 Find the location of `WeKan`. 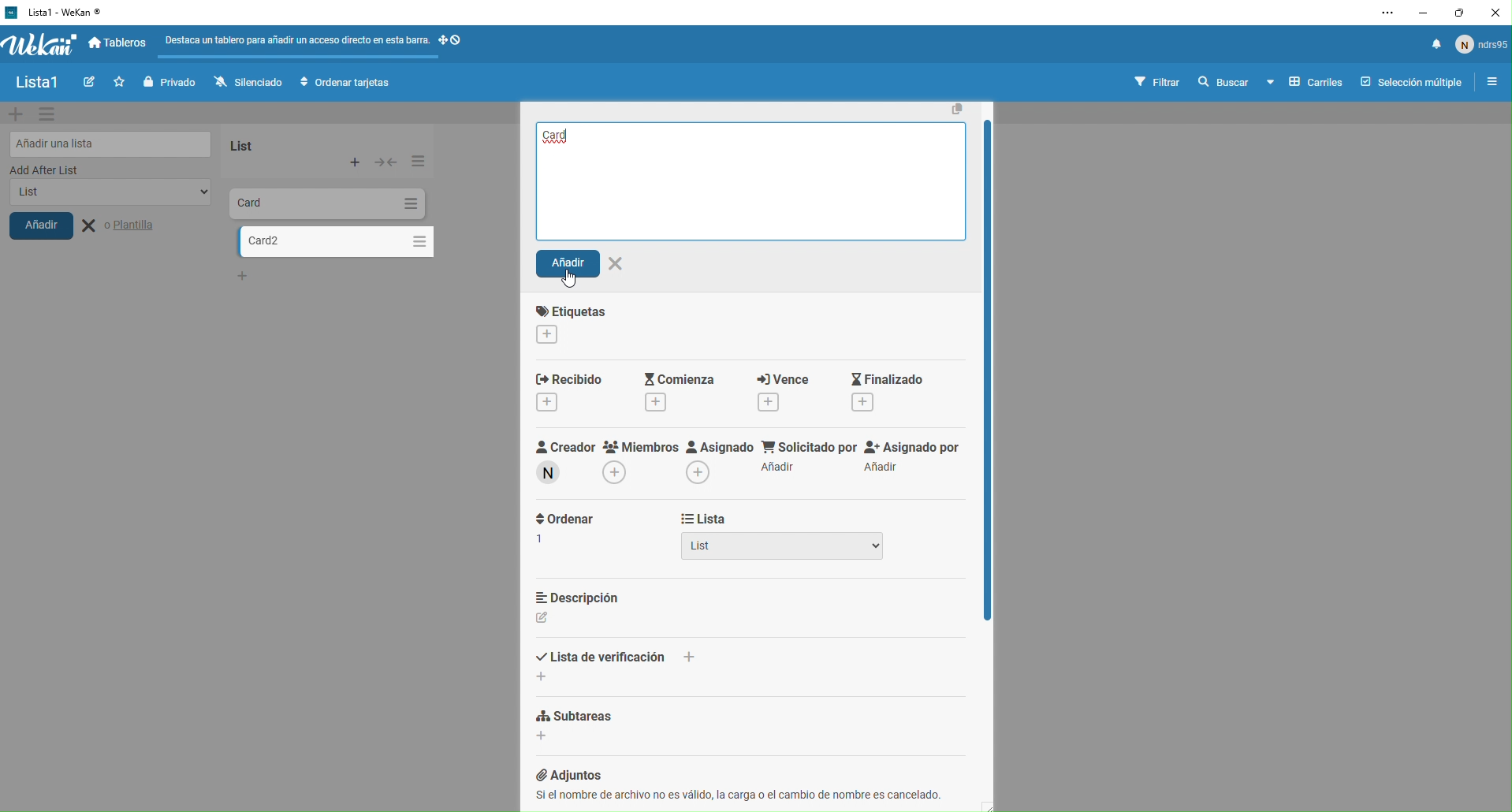

WeKan is located at coordinates (55, 12).